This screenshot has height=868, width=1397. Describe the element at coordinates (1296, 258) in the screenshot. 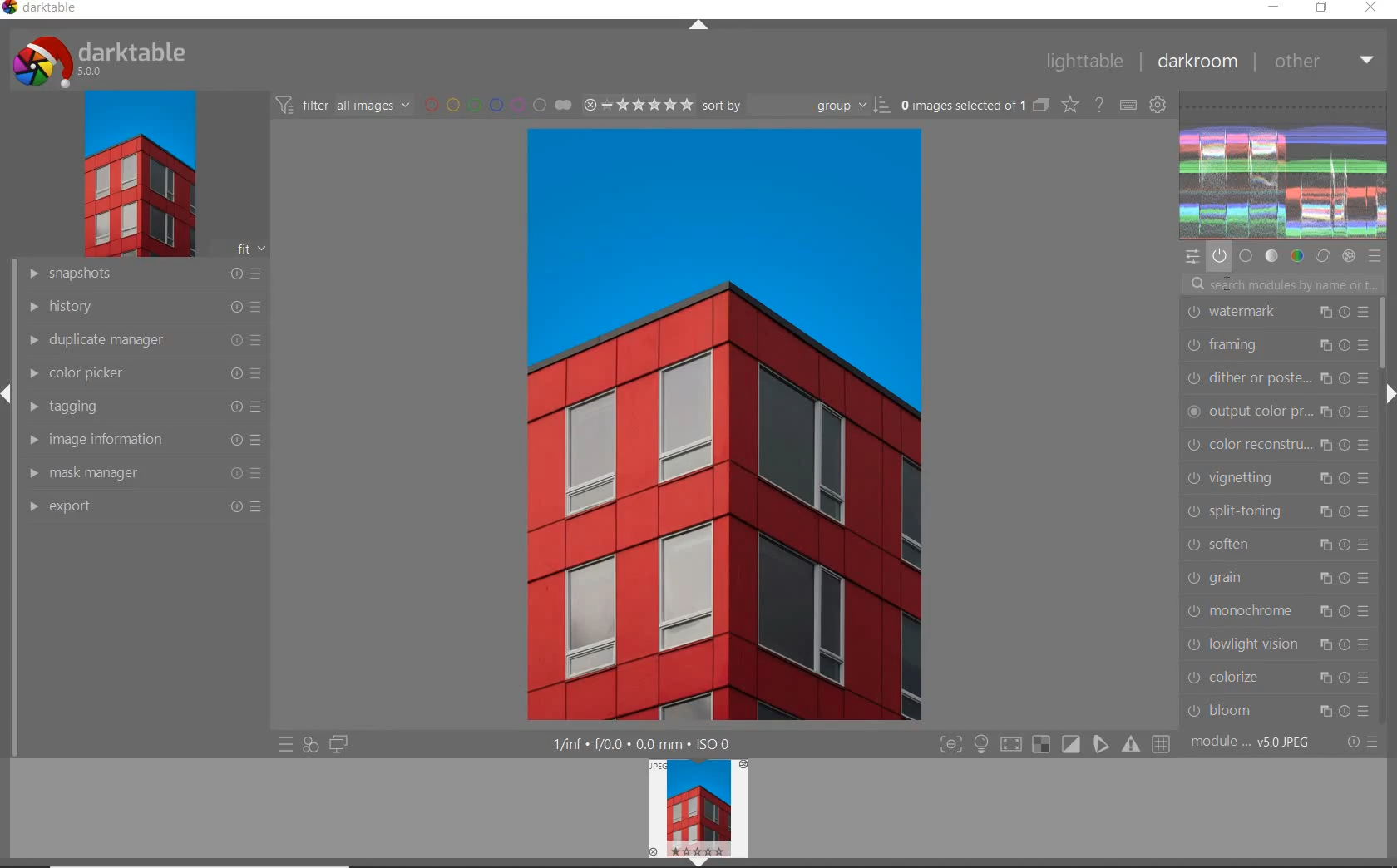

I see `color` at that location.